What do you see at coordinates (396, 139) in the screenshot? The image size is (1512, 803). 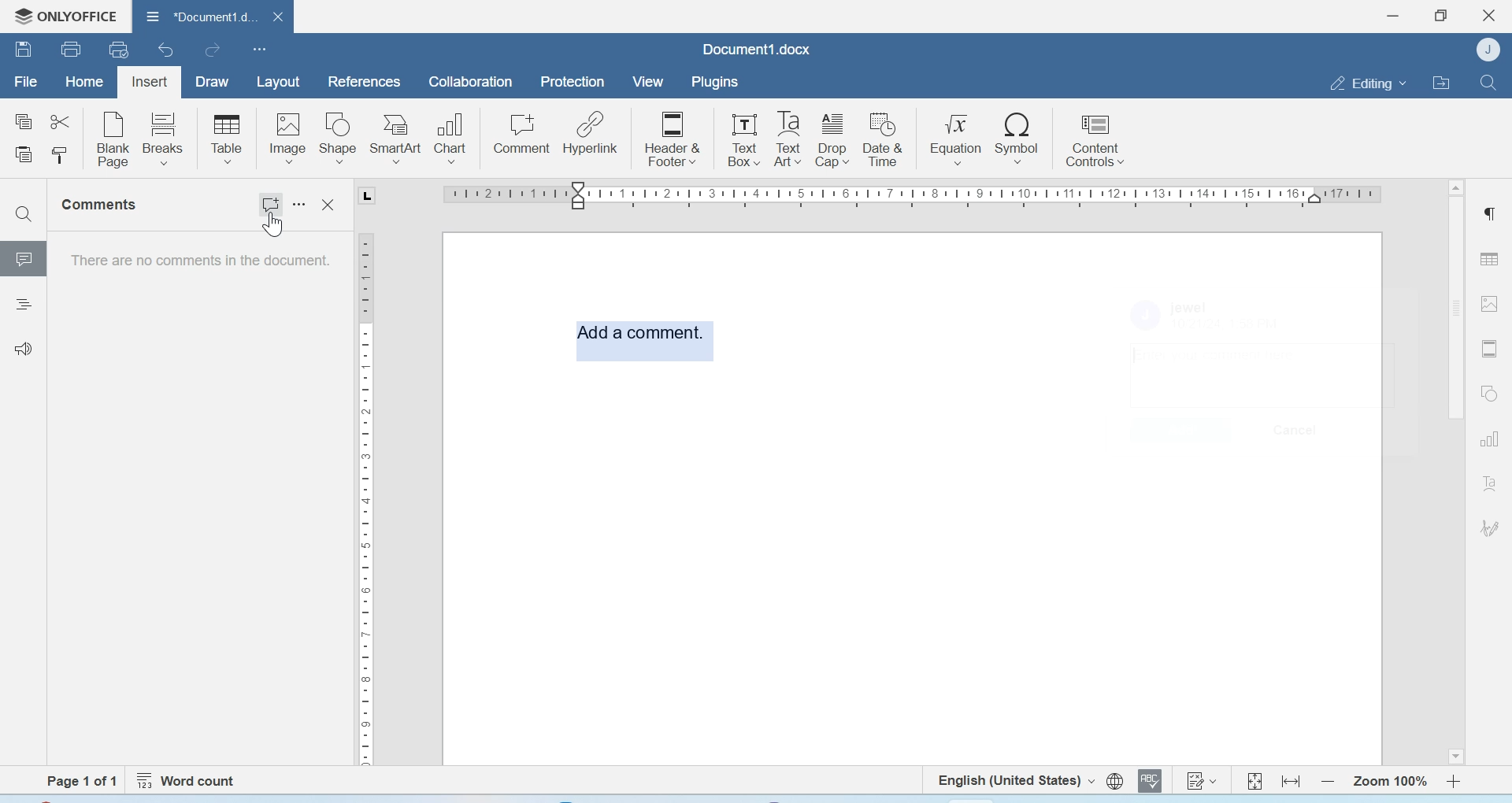 I see `SmartArt` at bounding box center [396, 139].